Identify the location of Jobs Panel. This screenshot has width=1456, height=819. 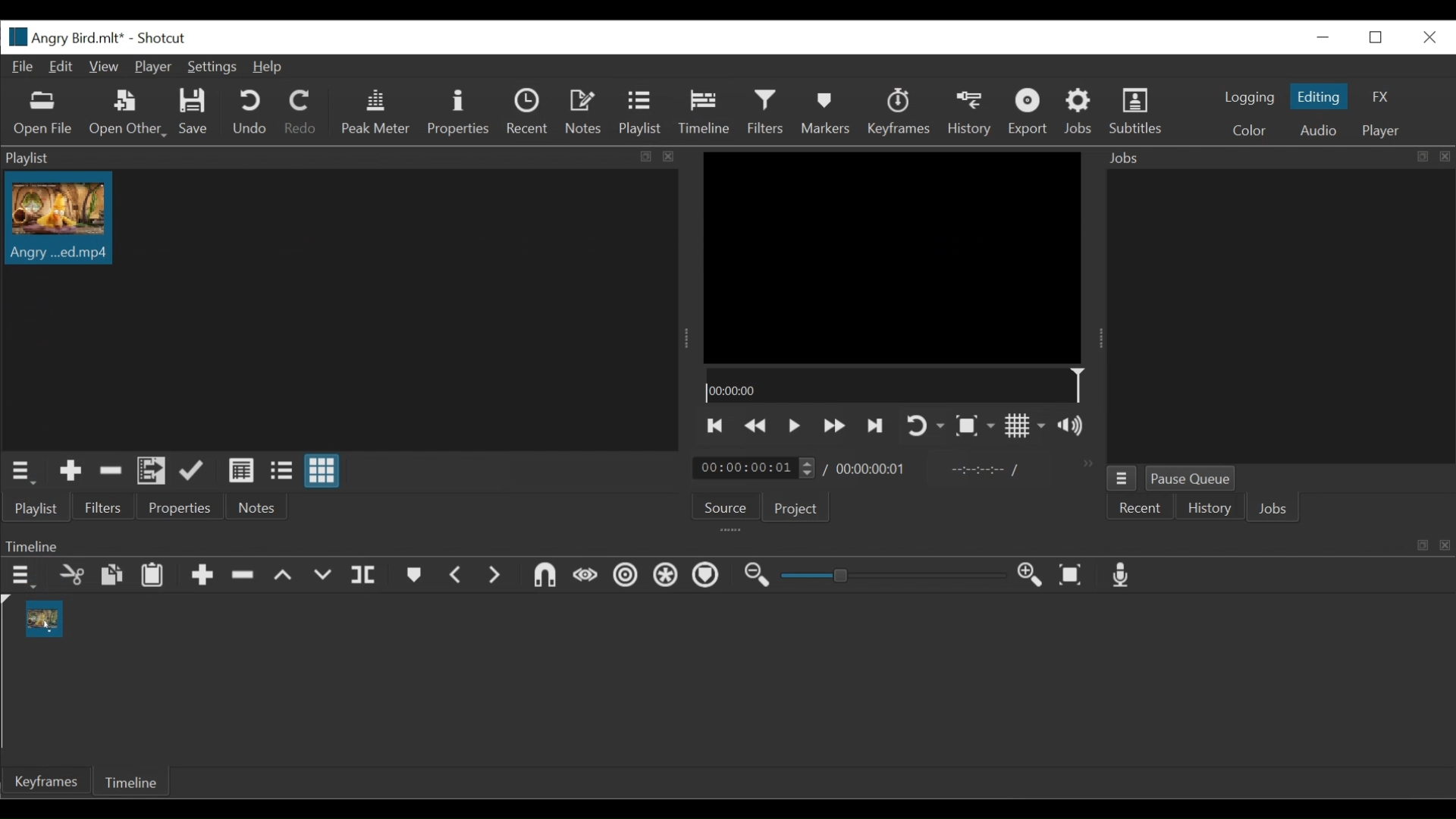
(1278, 157).